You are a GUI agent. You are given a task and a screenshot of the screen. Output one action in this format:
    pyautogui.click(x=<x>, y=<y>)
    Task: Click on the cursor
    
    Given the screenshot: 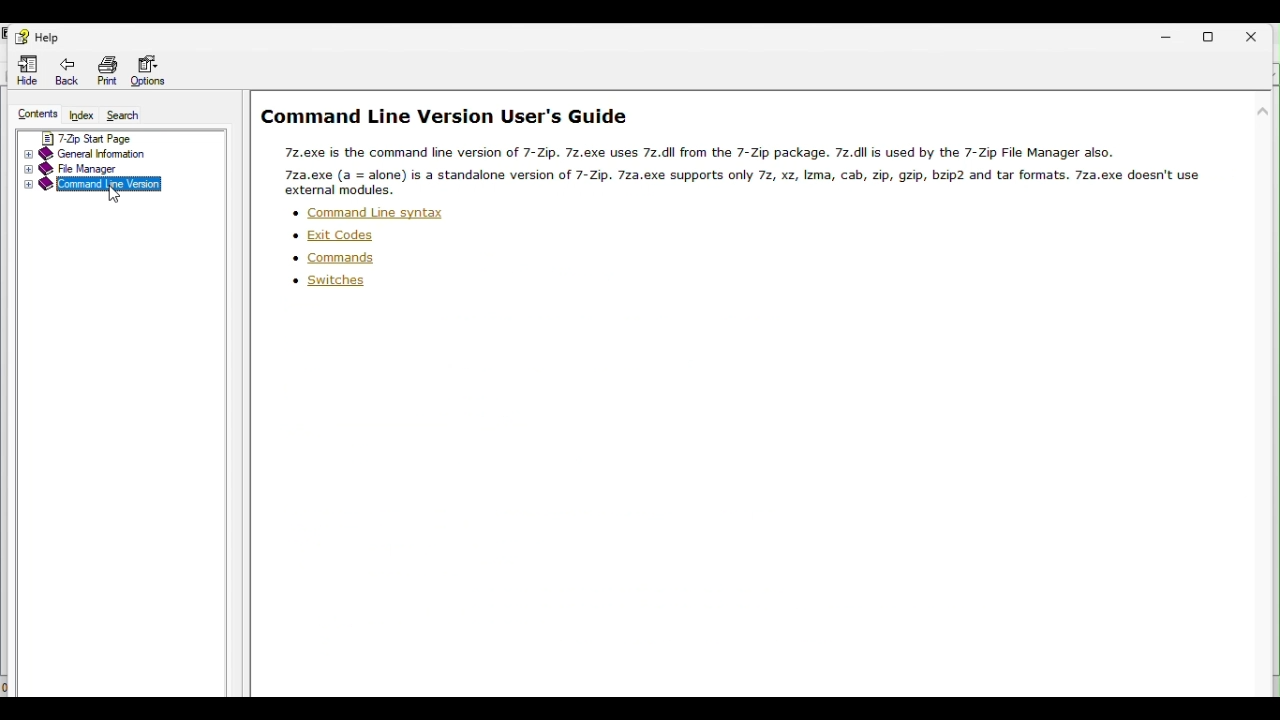 What is the action you would take?
    pyautogui.click(x=115, y=197)
    